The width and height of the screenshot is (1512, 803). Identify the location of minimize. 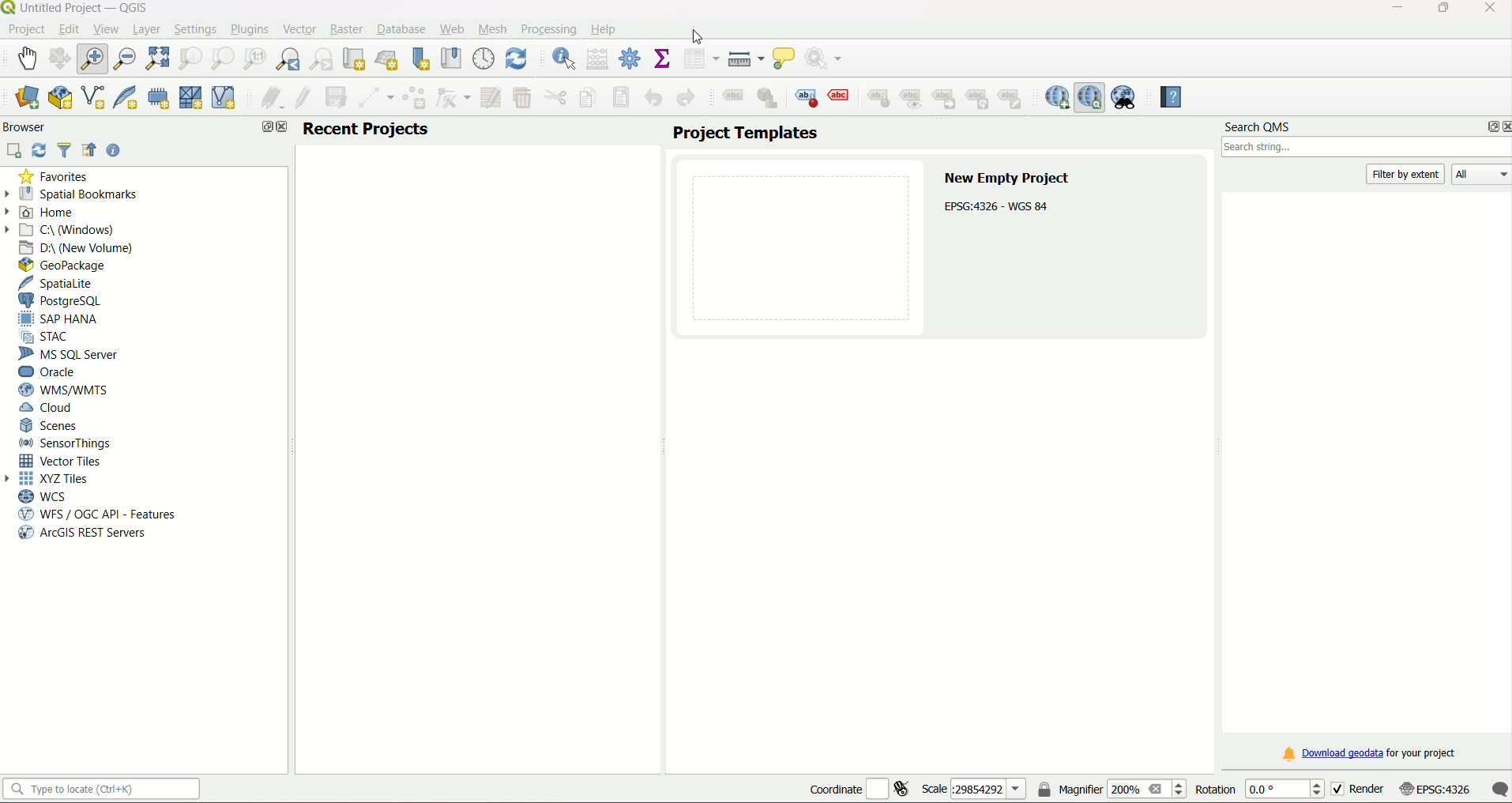
(1392, 8).